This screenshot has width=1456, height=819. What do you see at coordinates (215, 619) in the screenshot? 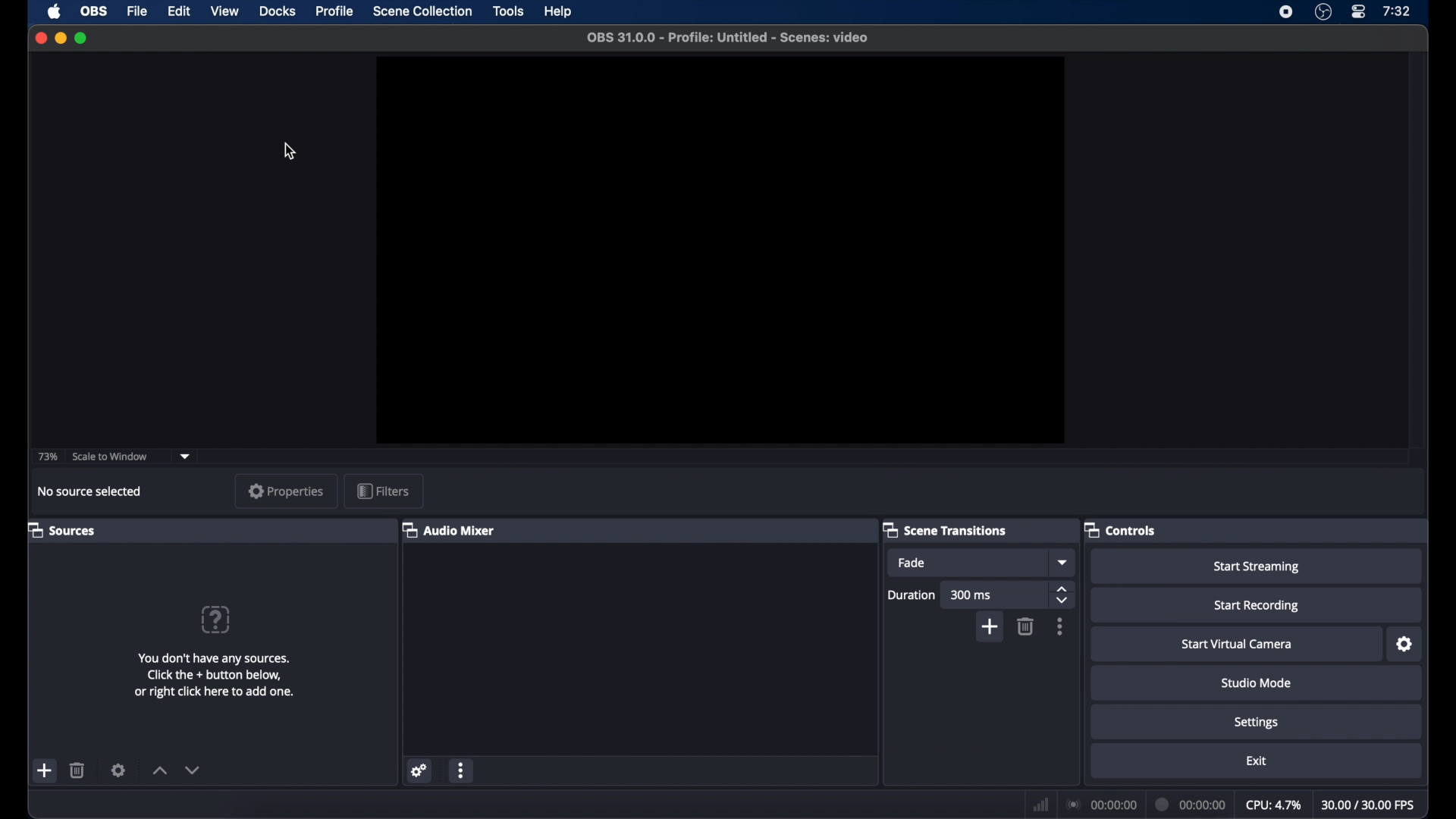
I see `help icon` at bounding box center [215, 619].